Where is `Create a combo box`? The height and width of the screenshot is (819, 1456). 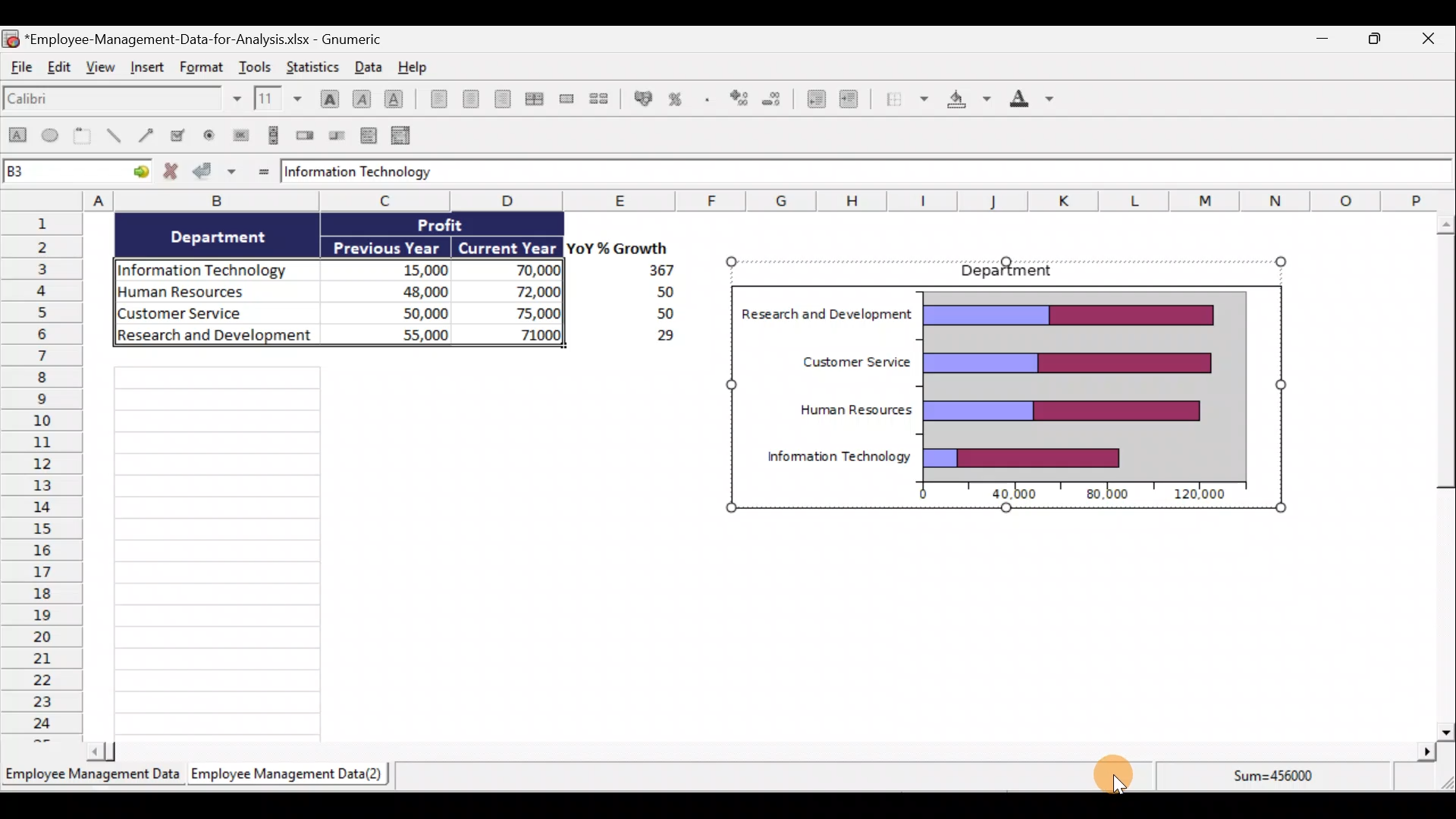 Create a combo box is located at coordinates (404, 136).